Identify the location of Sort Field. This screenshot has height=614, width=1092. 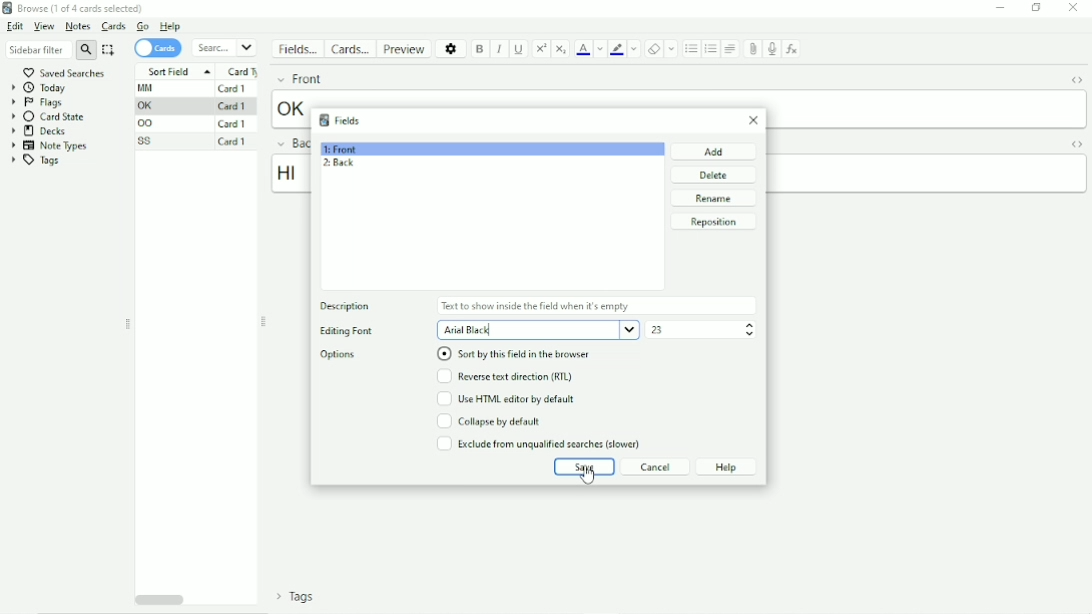
(175, 70).